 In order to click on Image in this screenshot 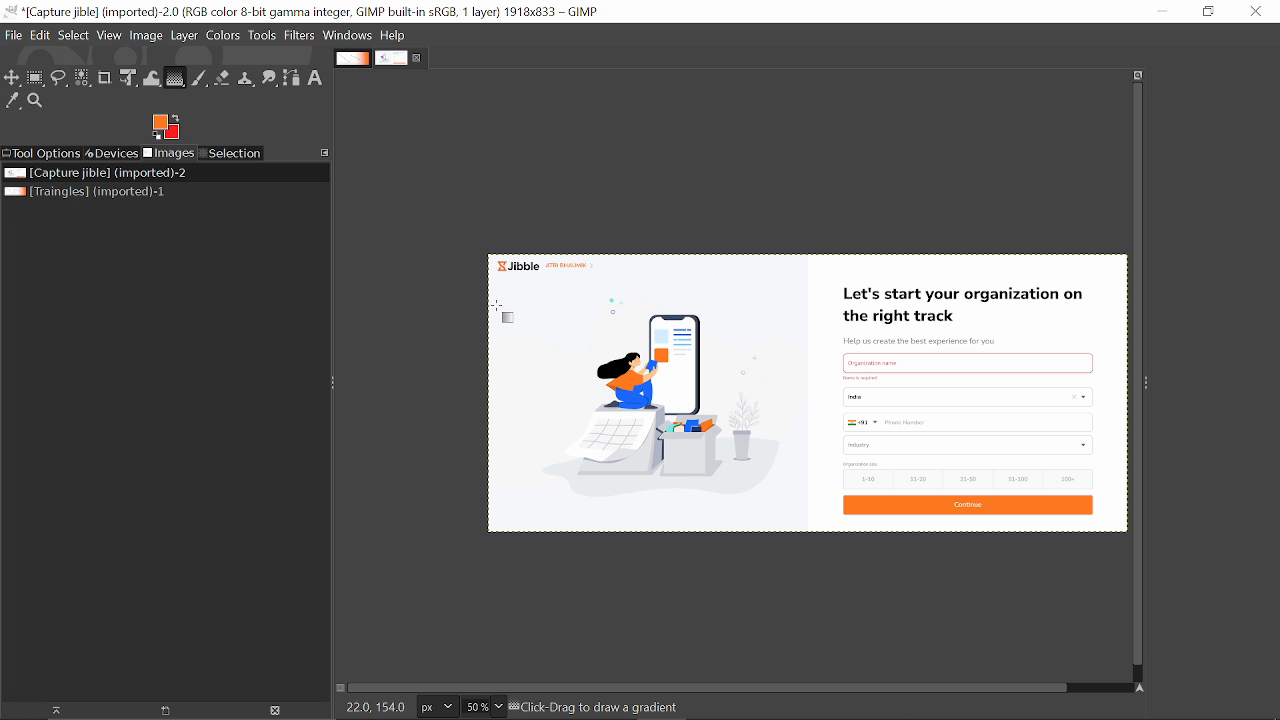, I will do `click(147, 36)`.